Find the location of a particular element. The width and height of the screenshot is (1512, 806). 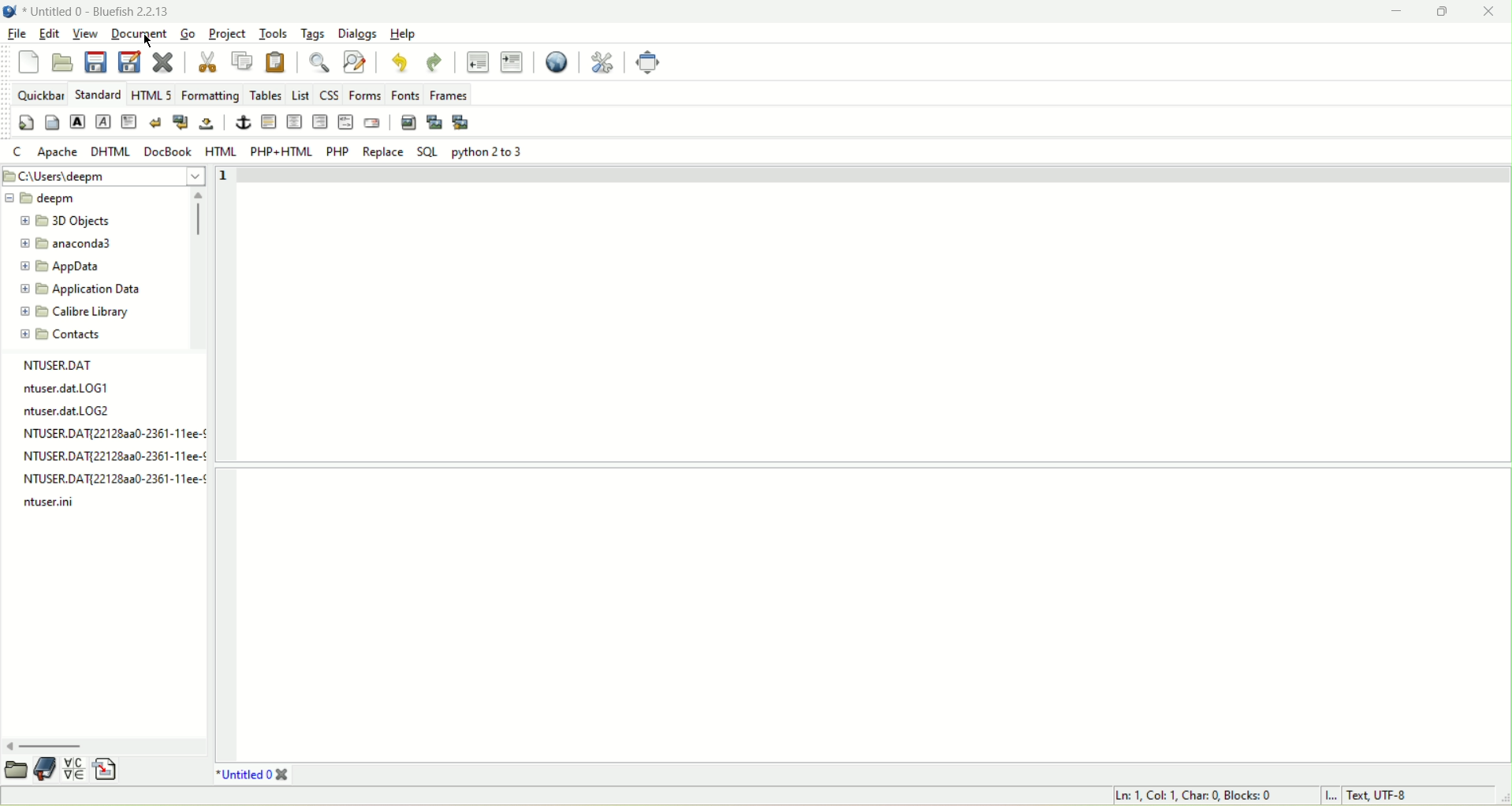

c is located at coordinates (19, 151).